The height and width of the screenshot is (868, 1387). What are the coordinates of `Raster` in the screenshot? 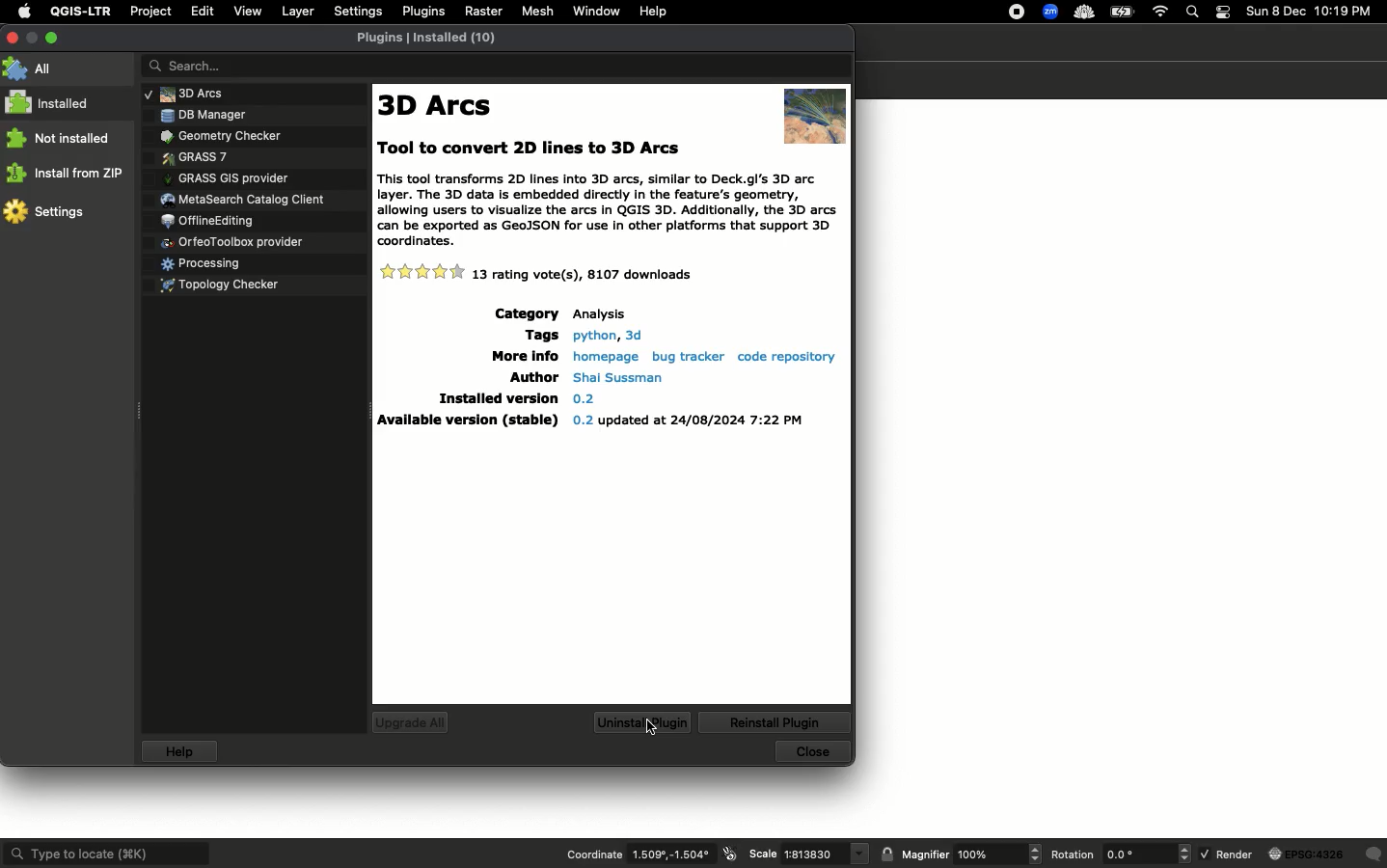 It's located at (484, 12).